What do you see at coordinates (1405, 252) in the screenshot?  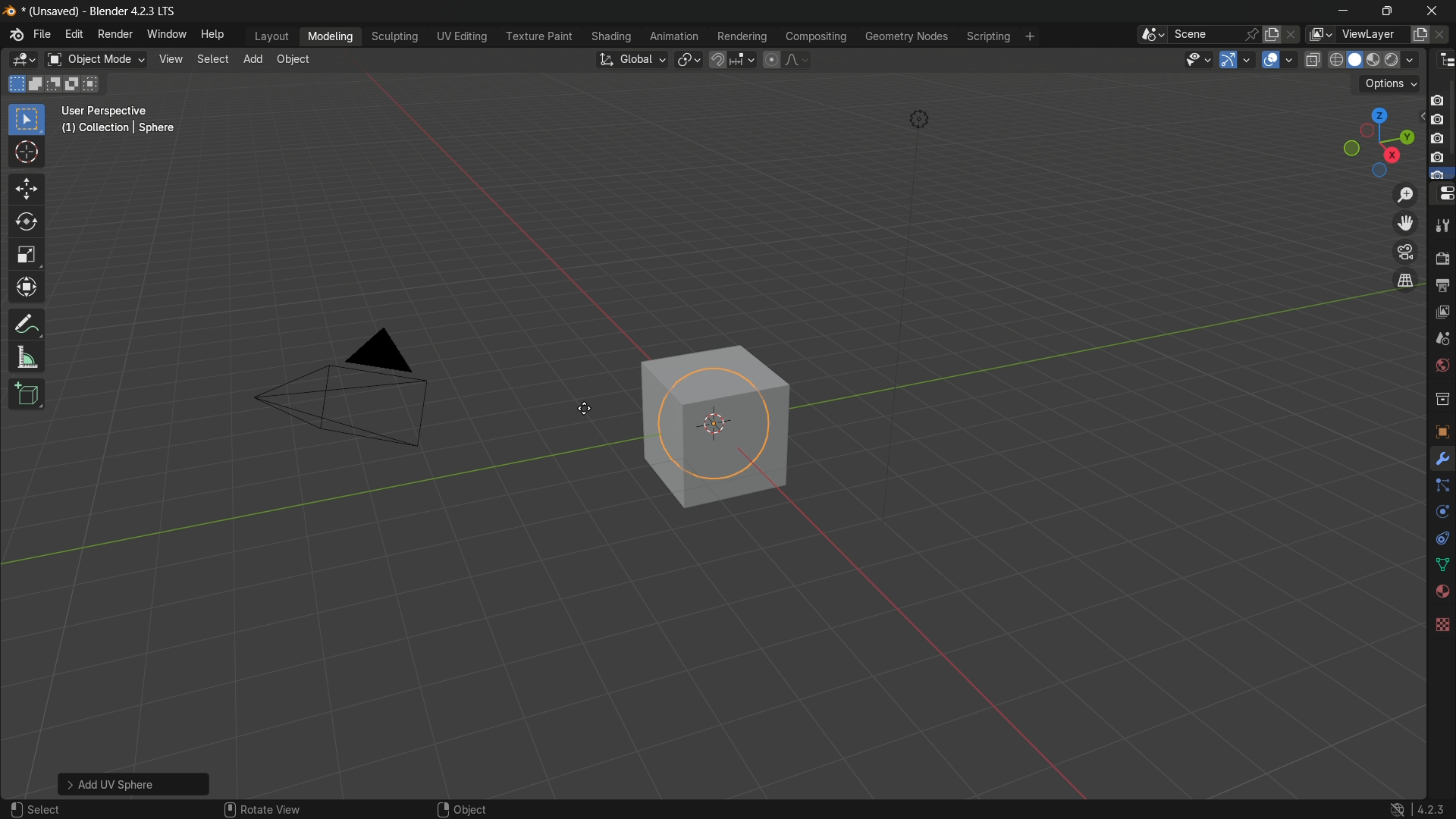 I see `toggle the camera view` at bounding box center [1405, 252].